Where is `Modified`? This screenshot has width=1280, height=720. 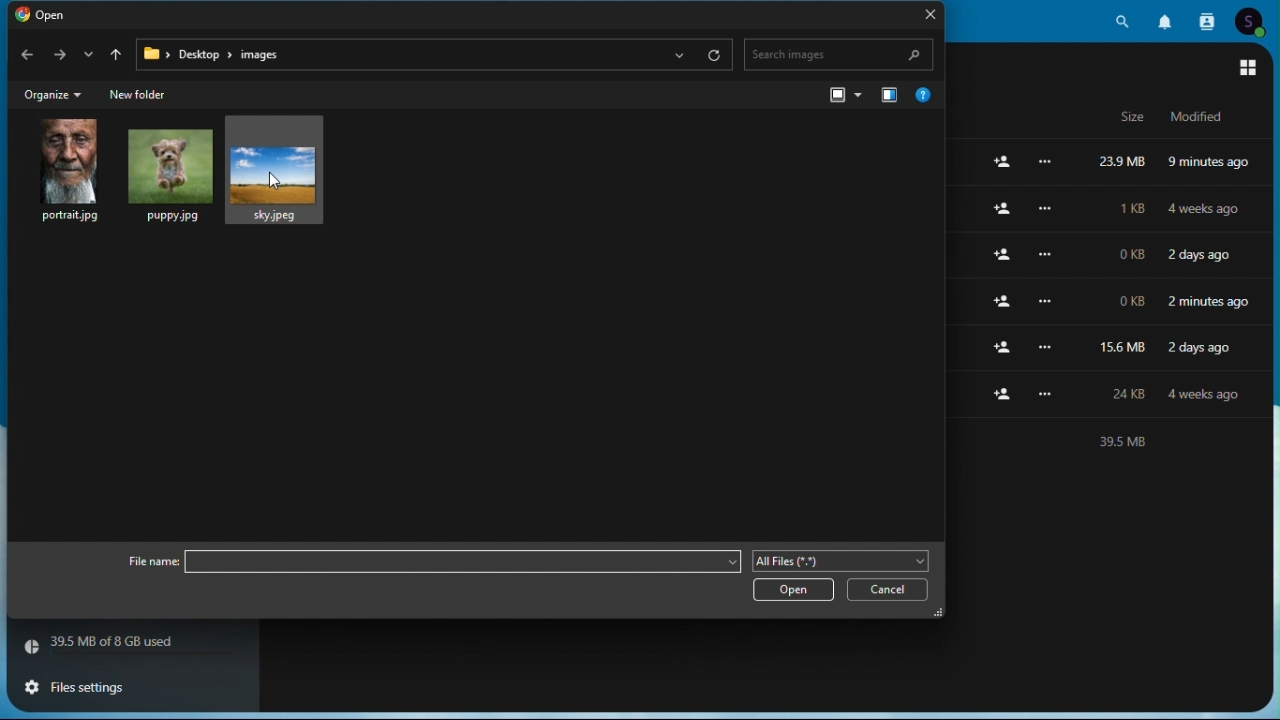 Modified is located at coordinates (1191, 116).